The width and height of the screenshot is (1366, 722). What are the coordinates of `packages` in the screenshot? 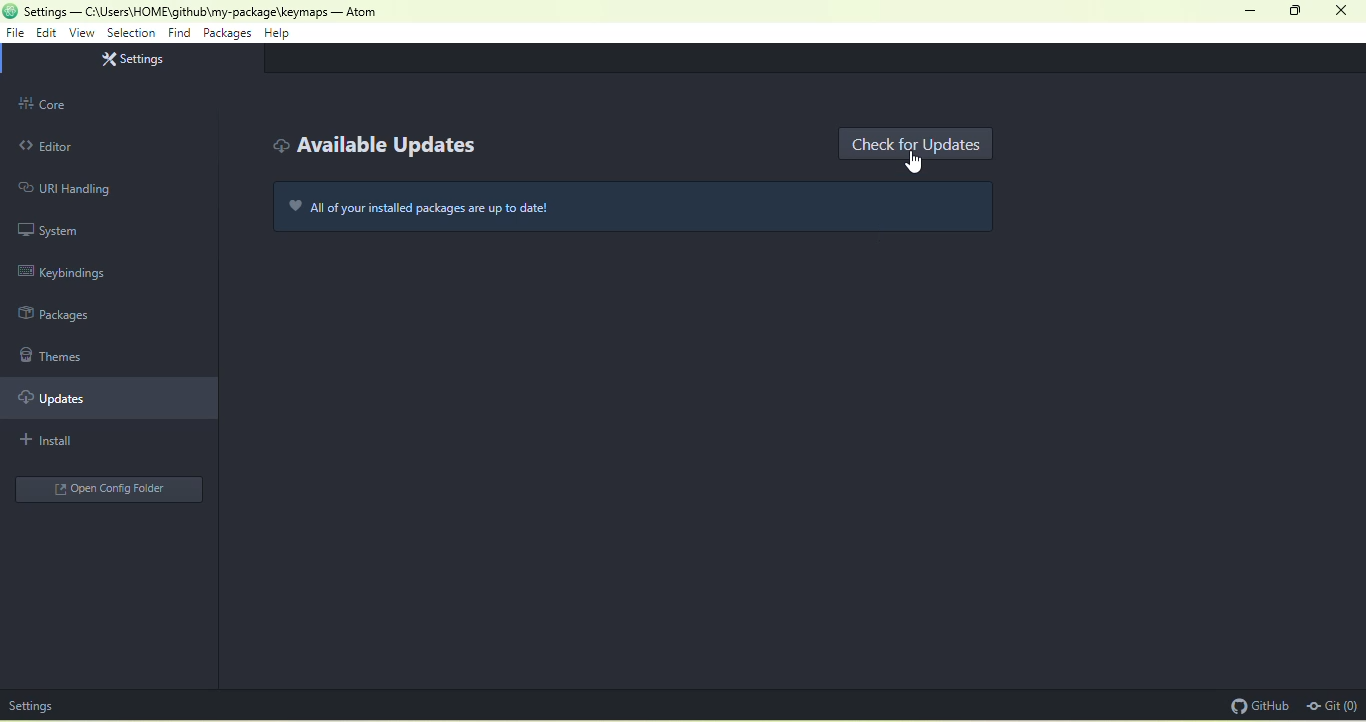 It's located at (226, 34).